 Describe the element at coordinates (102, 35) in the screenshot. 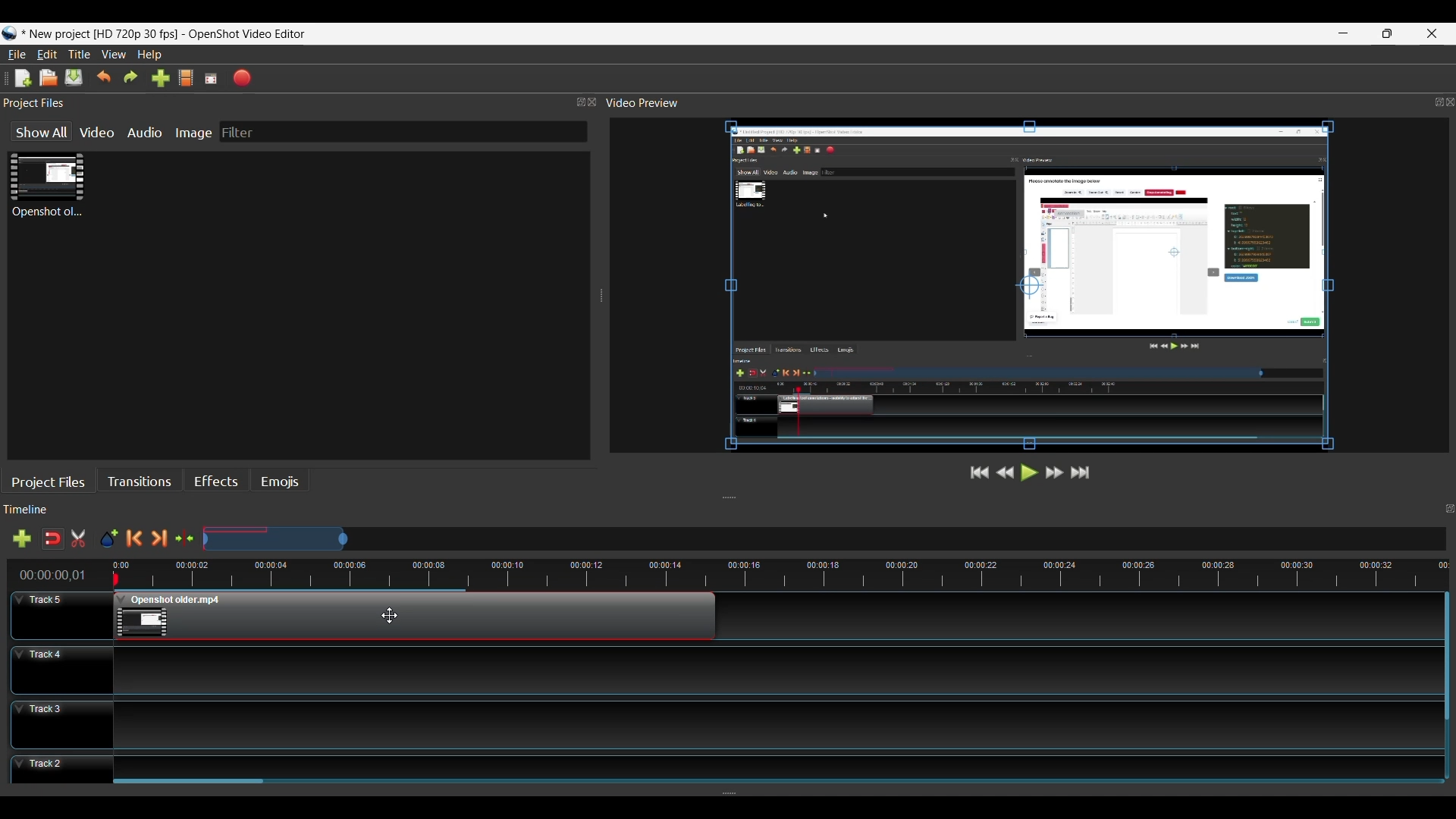

I see `Project Name` at that location.